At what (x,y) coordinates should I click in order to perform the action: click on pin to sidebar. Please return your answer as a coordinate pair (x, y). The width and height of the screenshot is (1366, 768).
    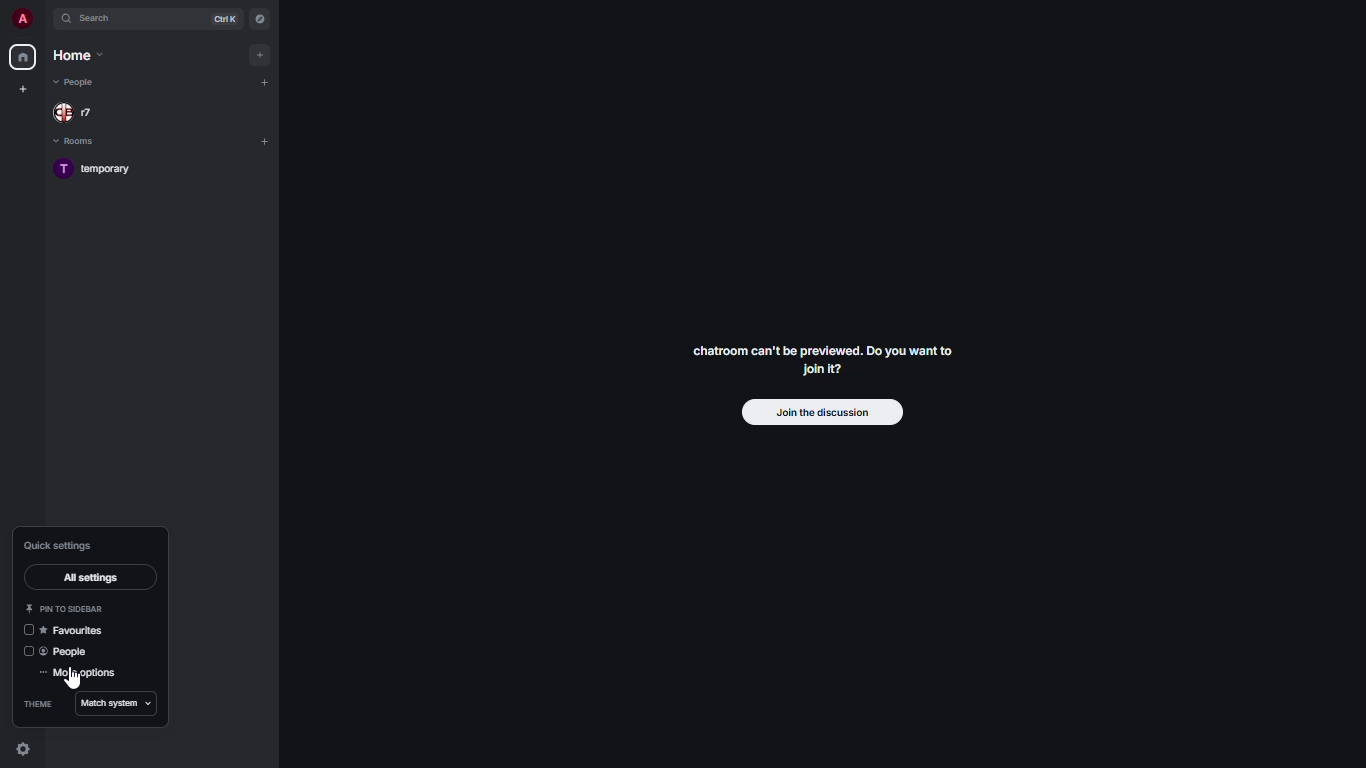
    Looking at the image, I should click on (67, 606).